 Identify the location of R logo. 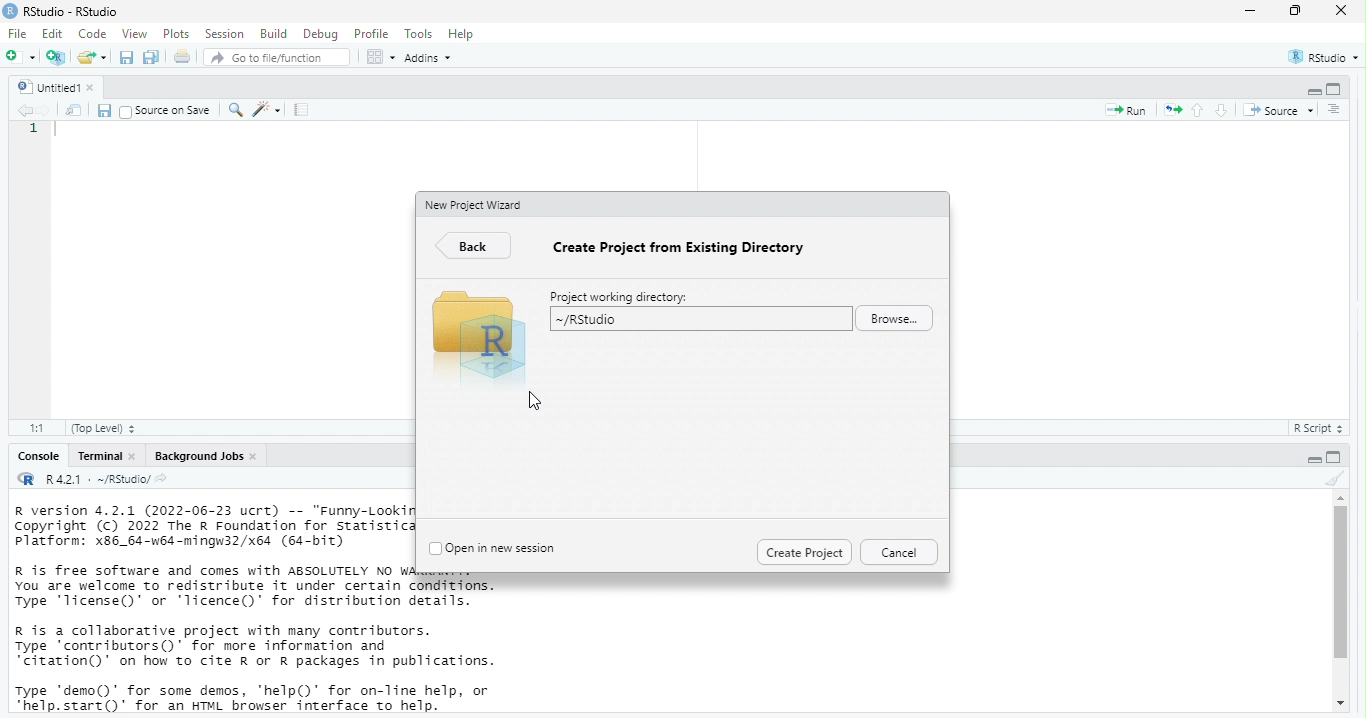
(25, 479).